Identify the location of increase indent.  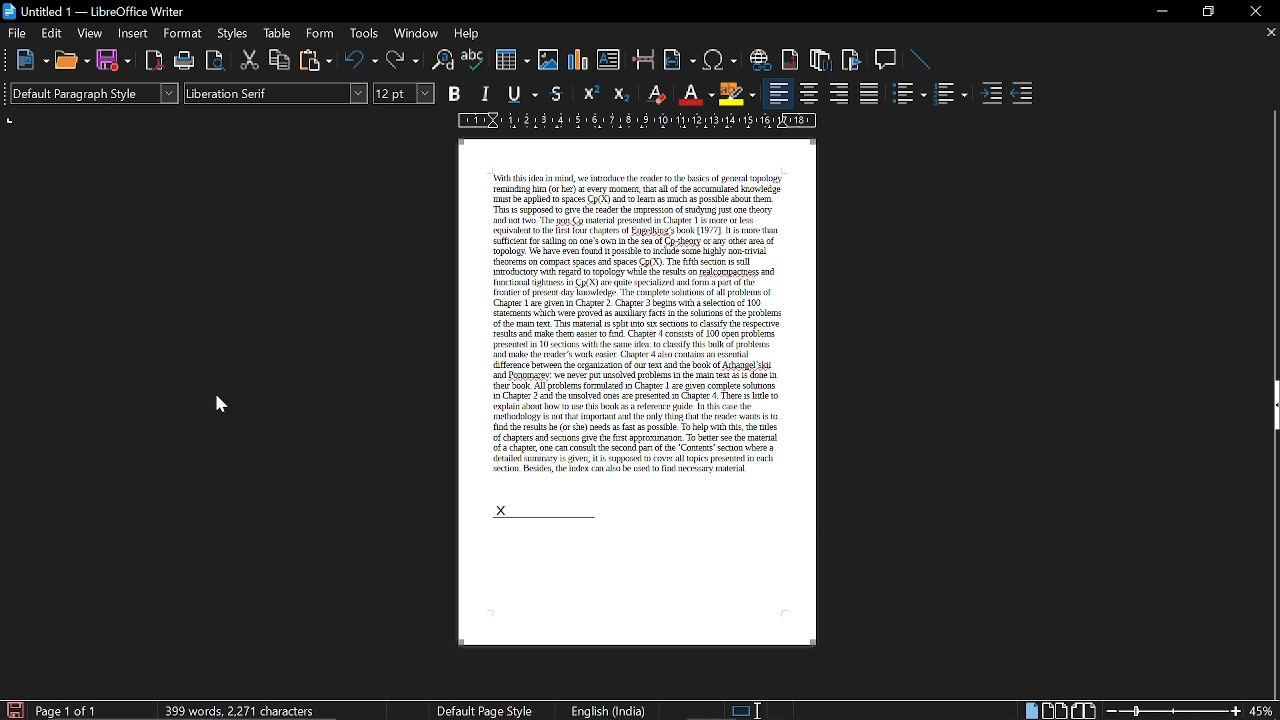
(993, 91).